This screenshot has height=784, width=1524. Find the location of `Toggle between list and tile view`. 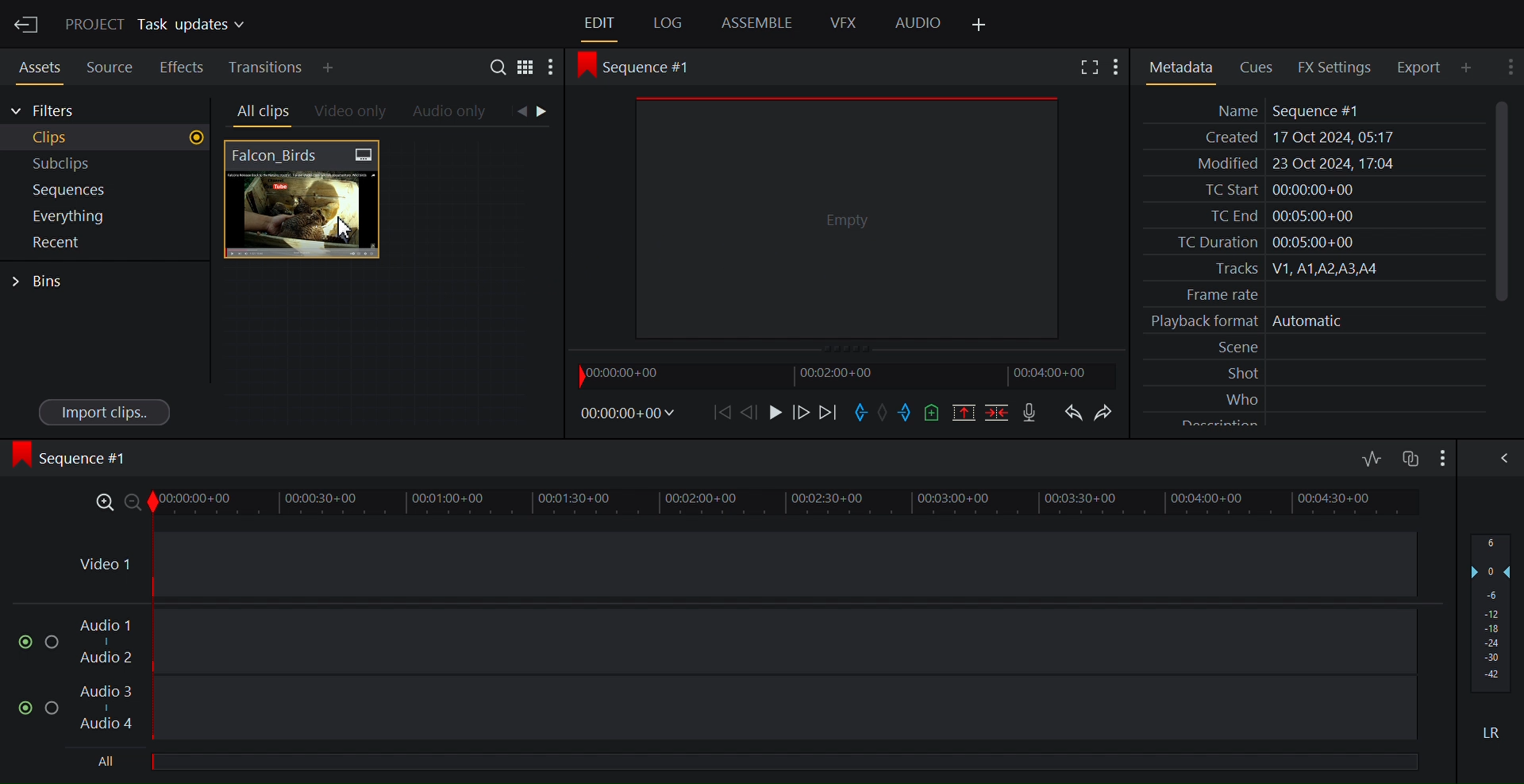

Toggle between list and tile view is located at coordinates (525, 70).